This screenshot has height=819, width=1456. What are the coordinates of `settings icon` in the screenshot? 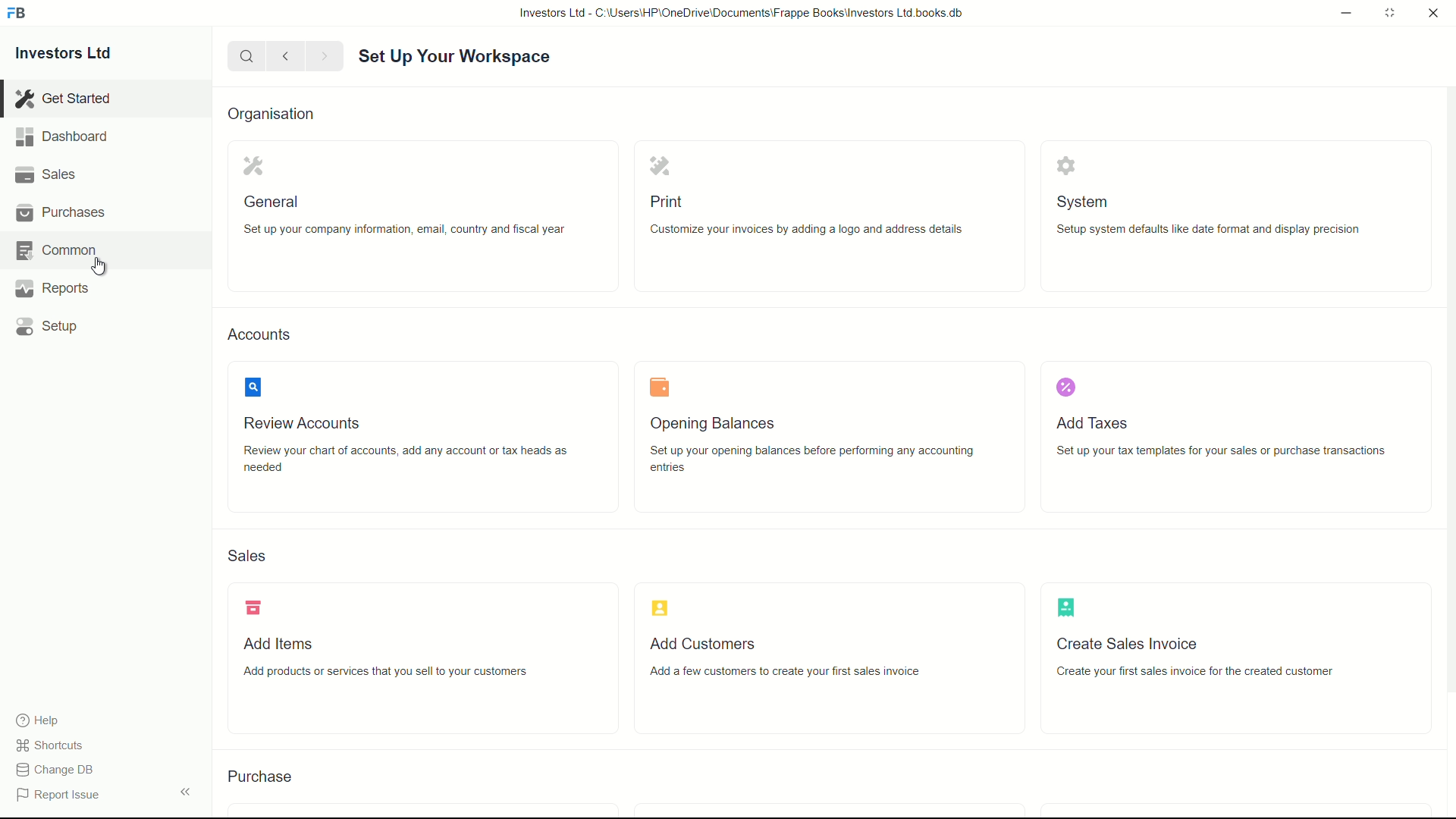 It's located at (250, 167).